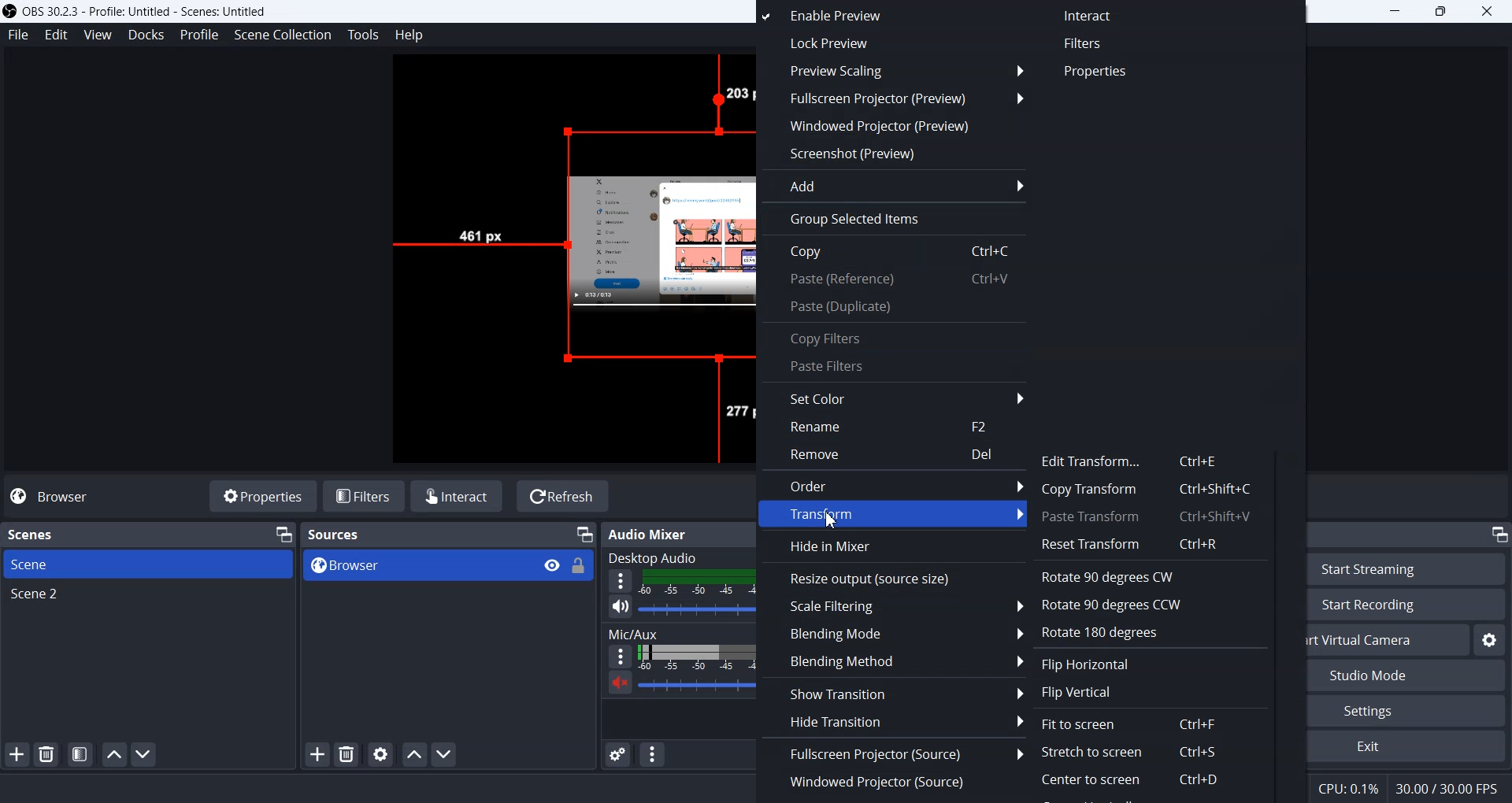 This screenshot has width=1512, height=803. What do you see at coordinates (1083, 691) in the screenshot?
I see `Flip Vertical` at bounding box center [1083, 691].